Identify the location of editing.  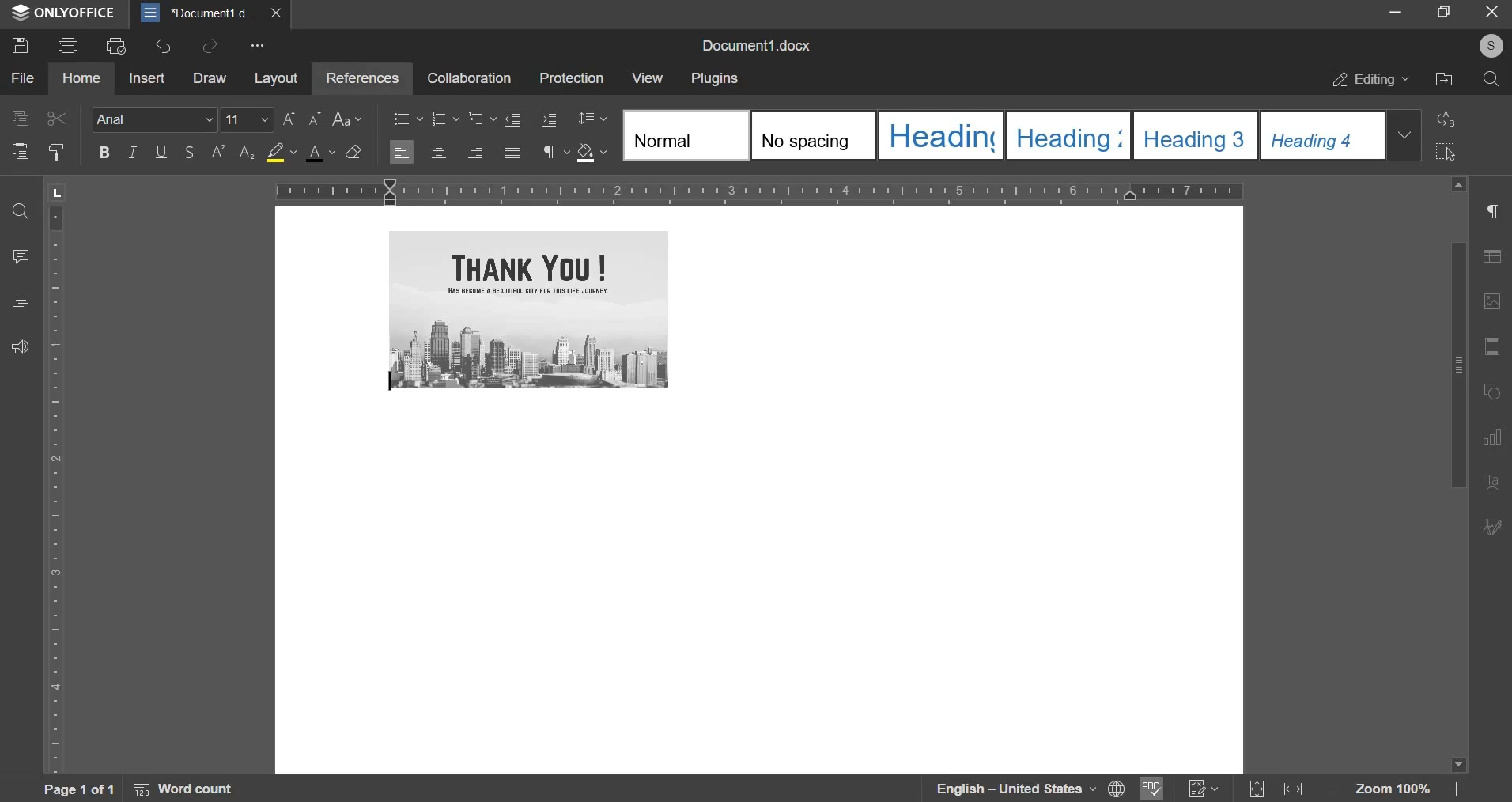
(1371, 79).